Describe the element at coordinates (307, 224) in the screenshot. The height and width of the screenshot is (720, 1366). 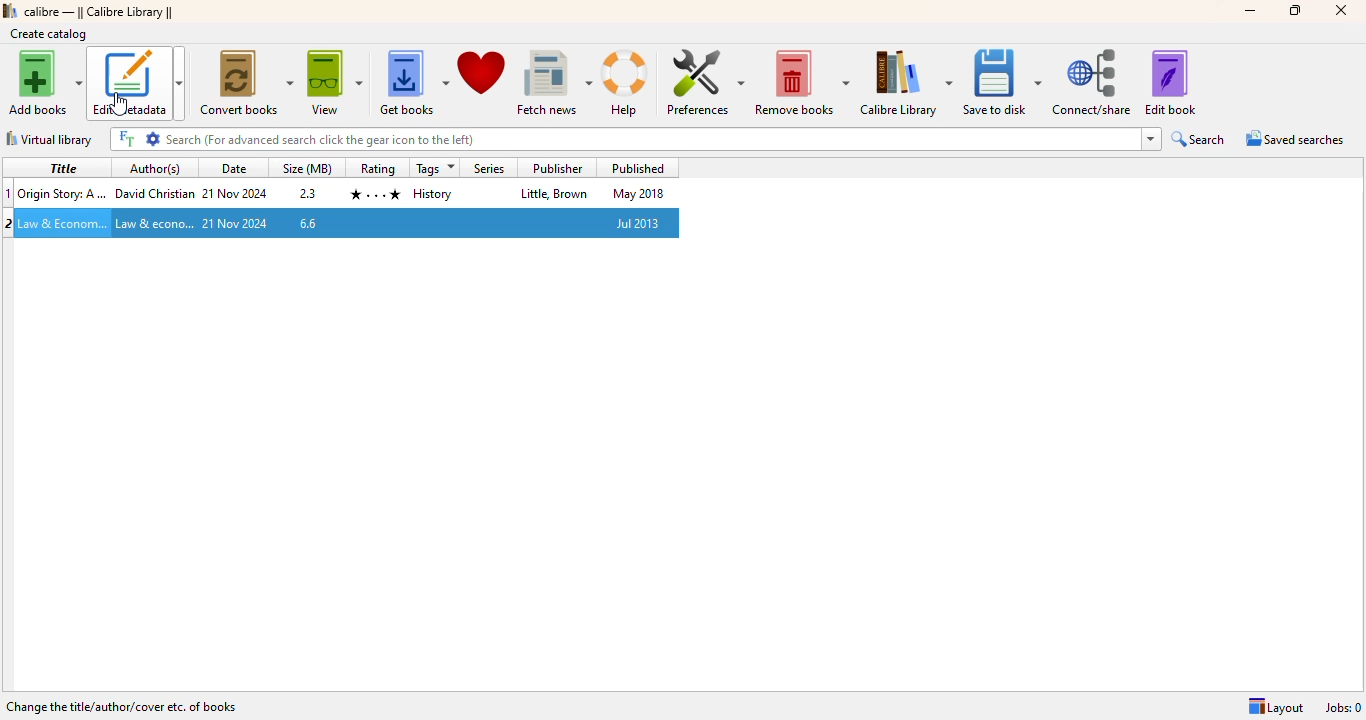
I see `6.6 mbs` at that location.